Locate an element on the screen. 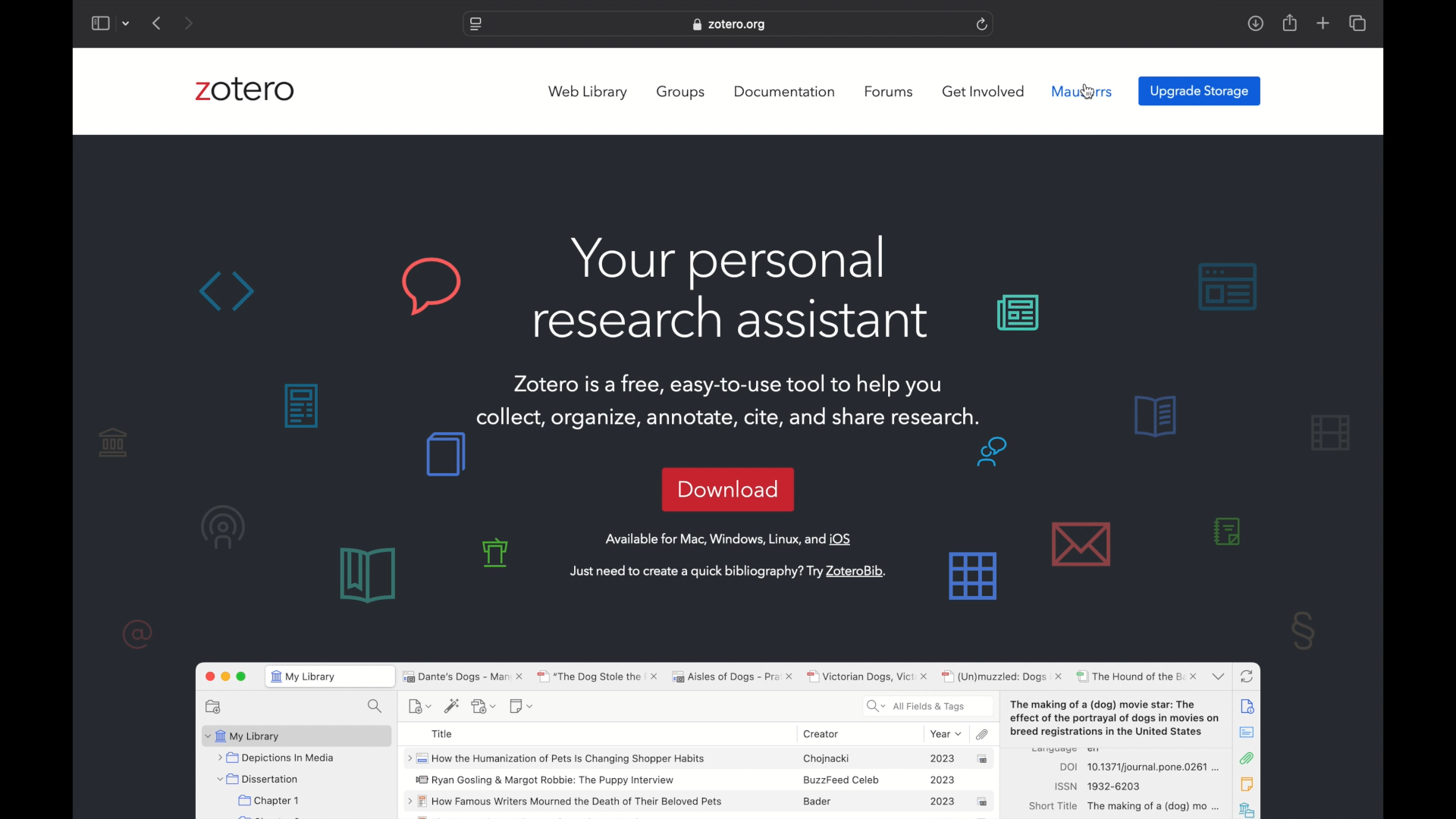 The height and width of the screenshot is (819, 1456). your personal research assistant is located at coordinates (732, 288).